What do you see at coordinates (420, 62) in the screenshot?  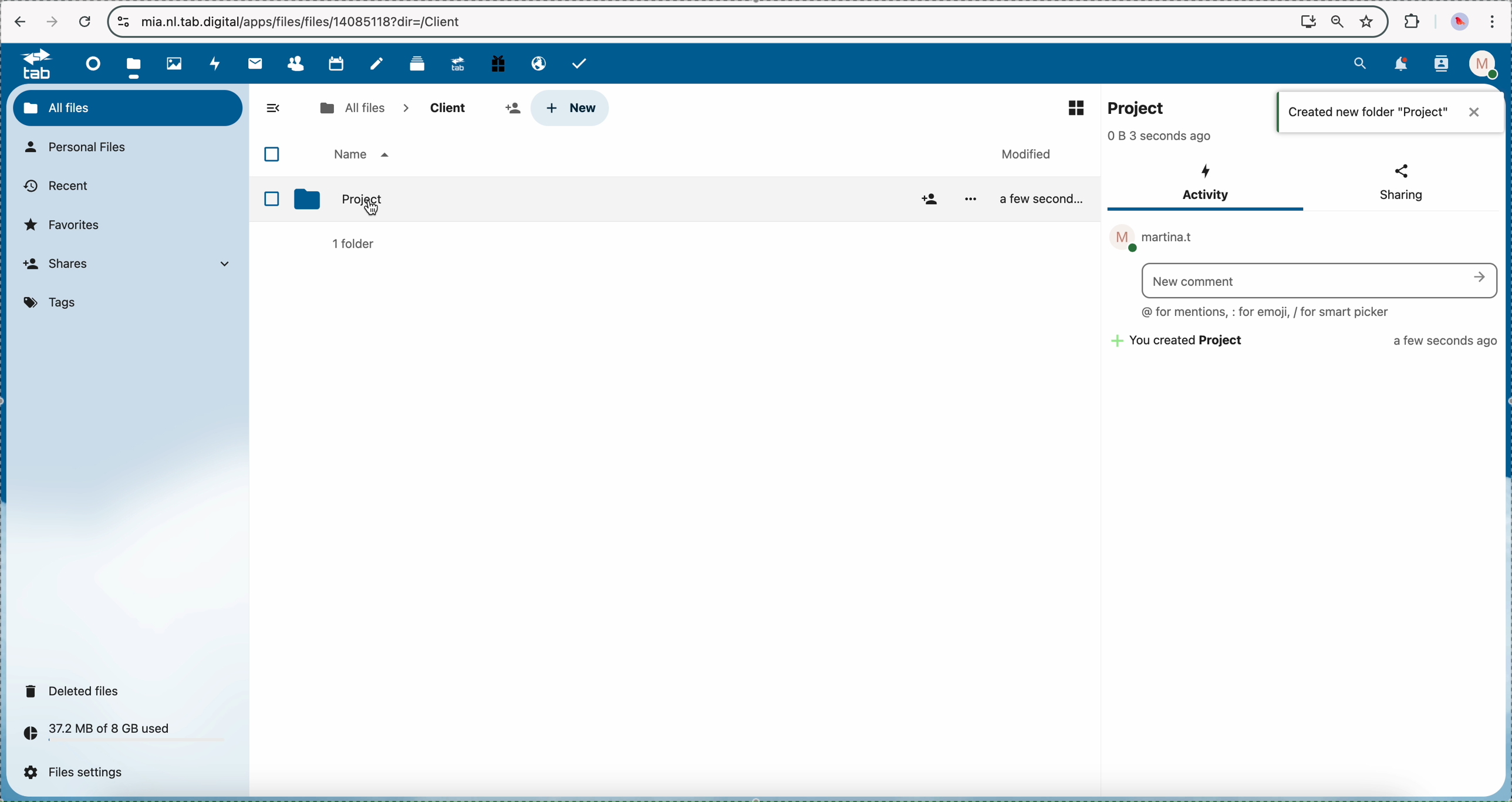 I see `deck` at bounding box center [420, 62].